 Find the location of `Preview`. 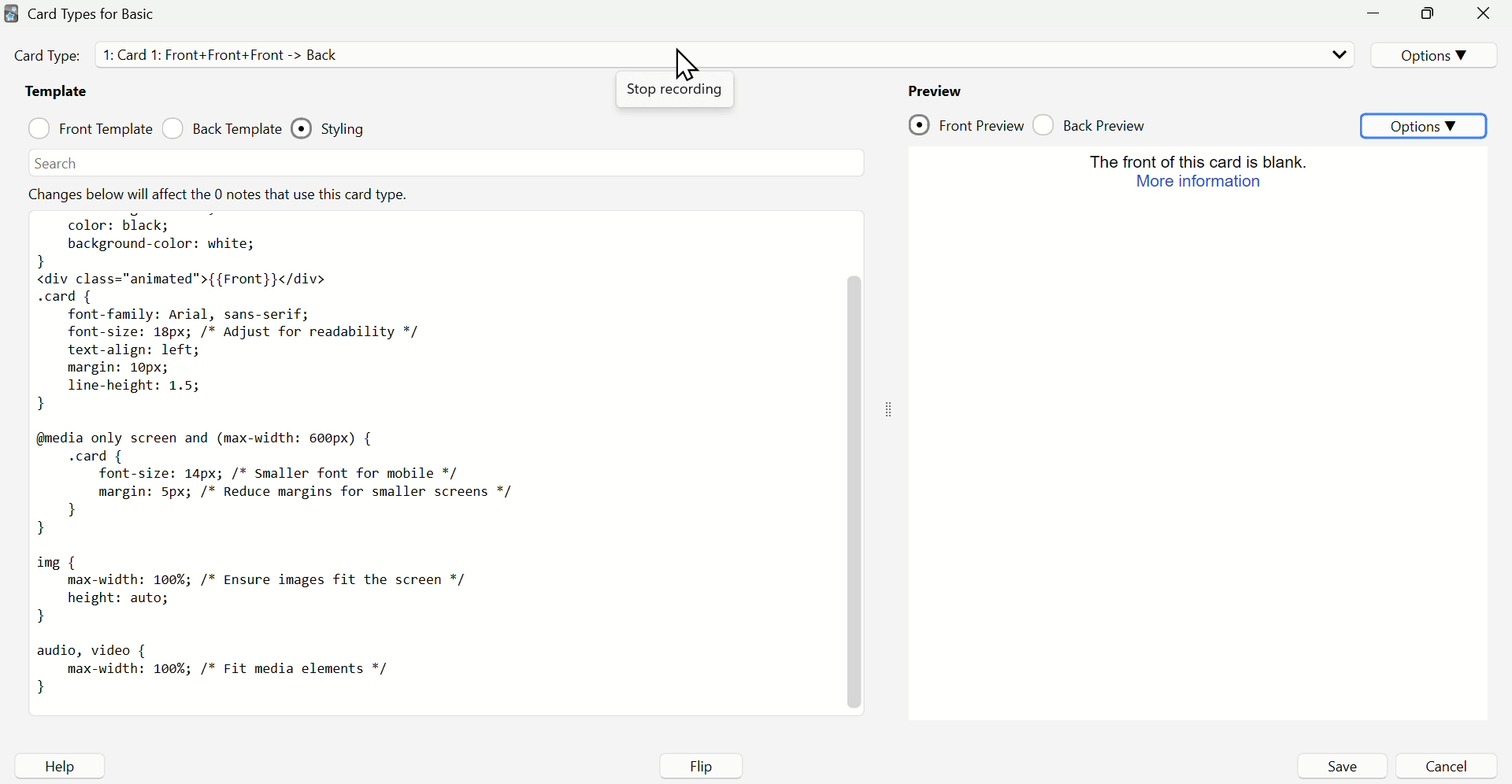

Preview is located at coordinates (935, 87).